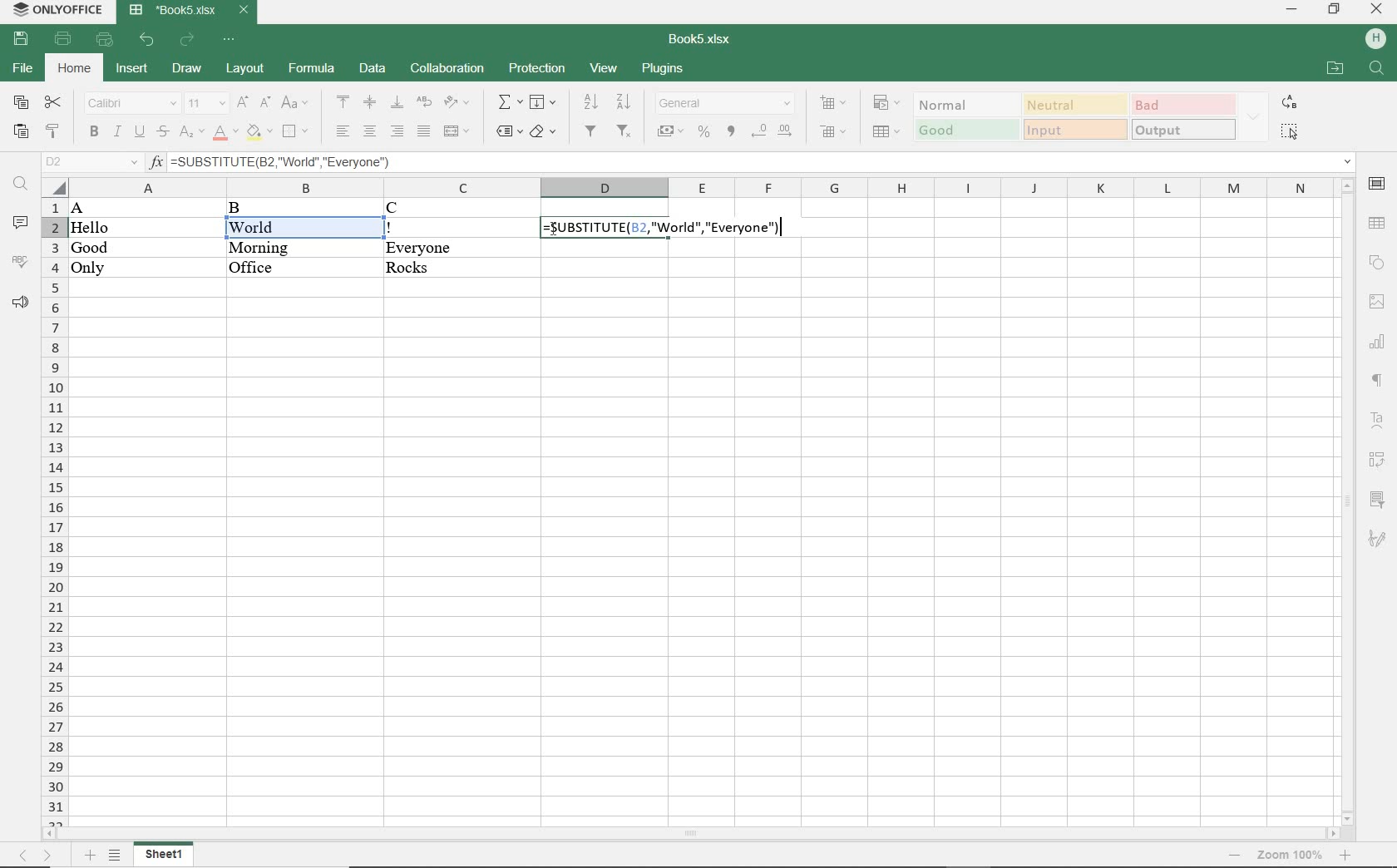  I want to click on move right, so click(1334, 833).